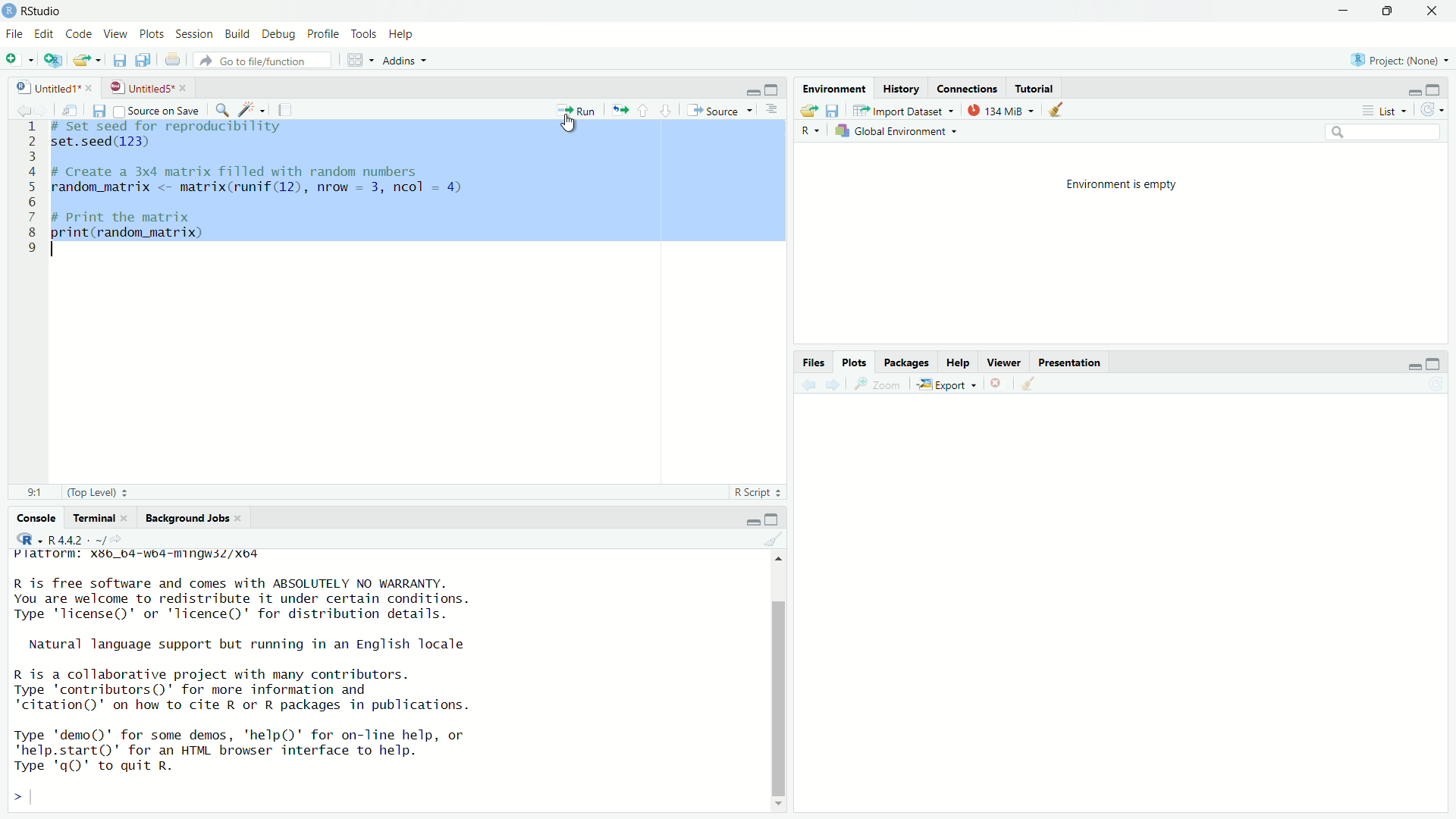  I want to click on files, so click(116, 60).